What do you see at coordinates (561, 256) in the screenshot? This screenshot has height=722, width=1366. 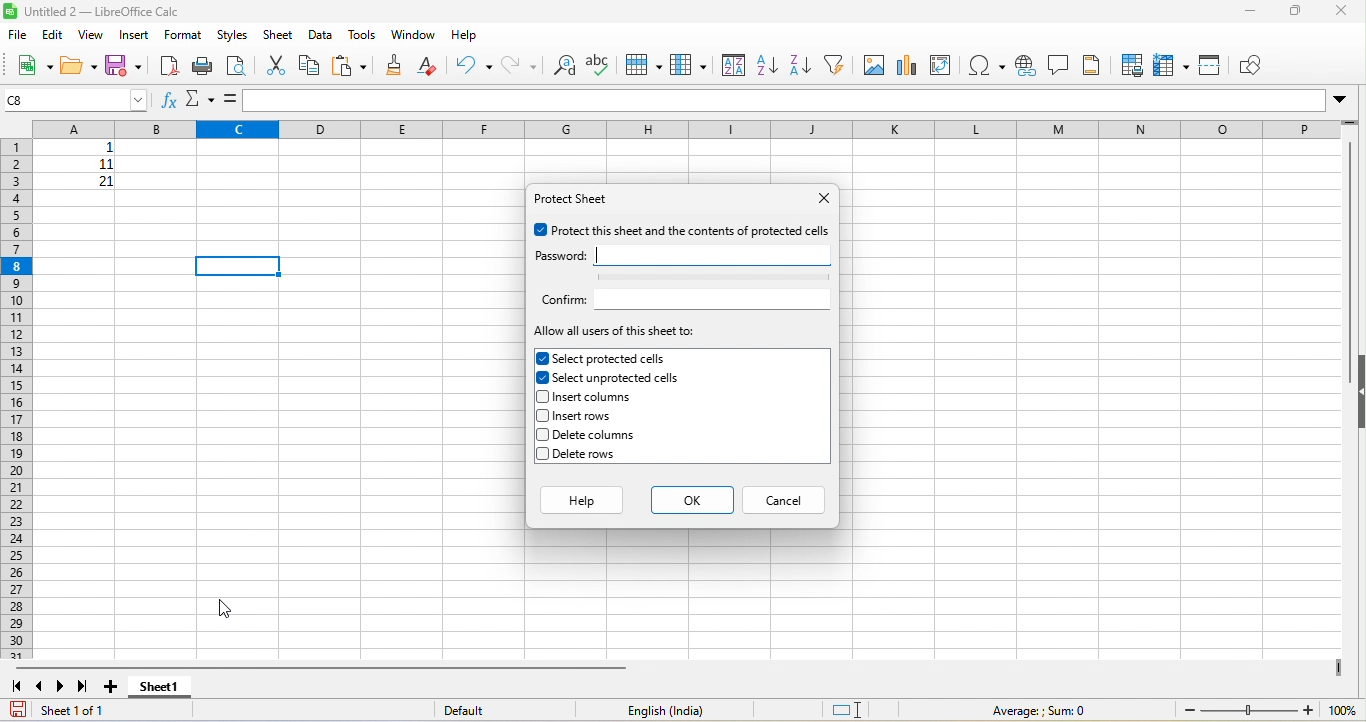 I see `password` at bounding box center [561, 256].